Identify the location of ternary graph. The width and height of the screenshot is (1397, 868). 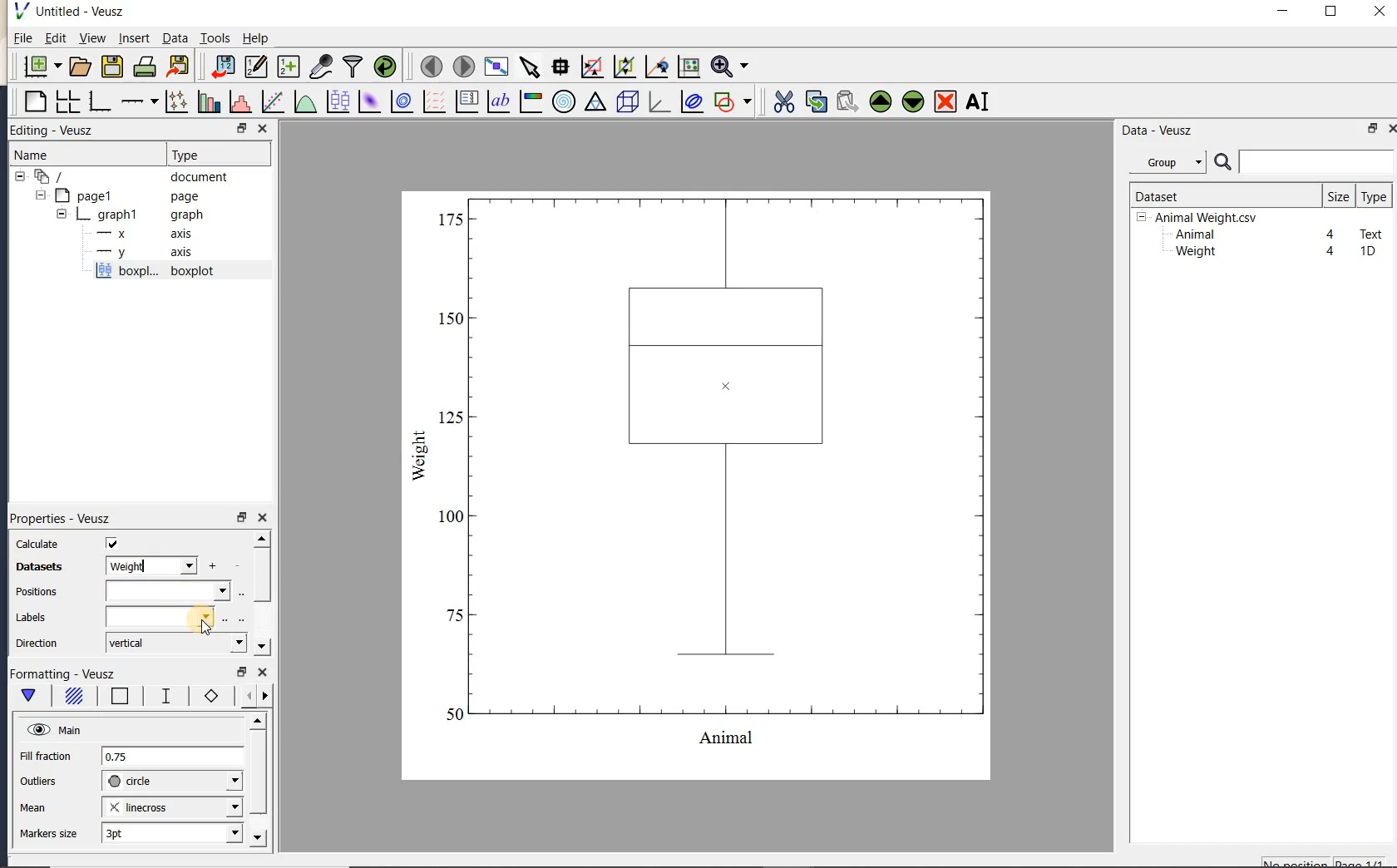
(595, 104).